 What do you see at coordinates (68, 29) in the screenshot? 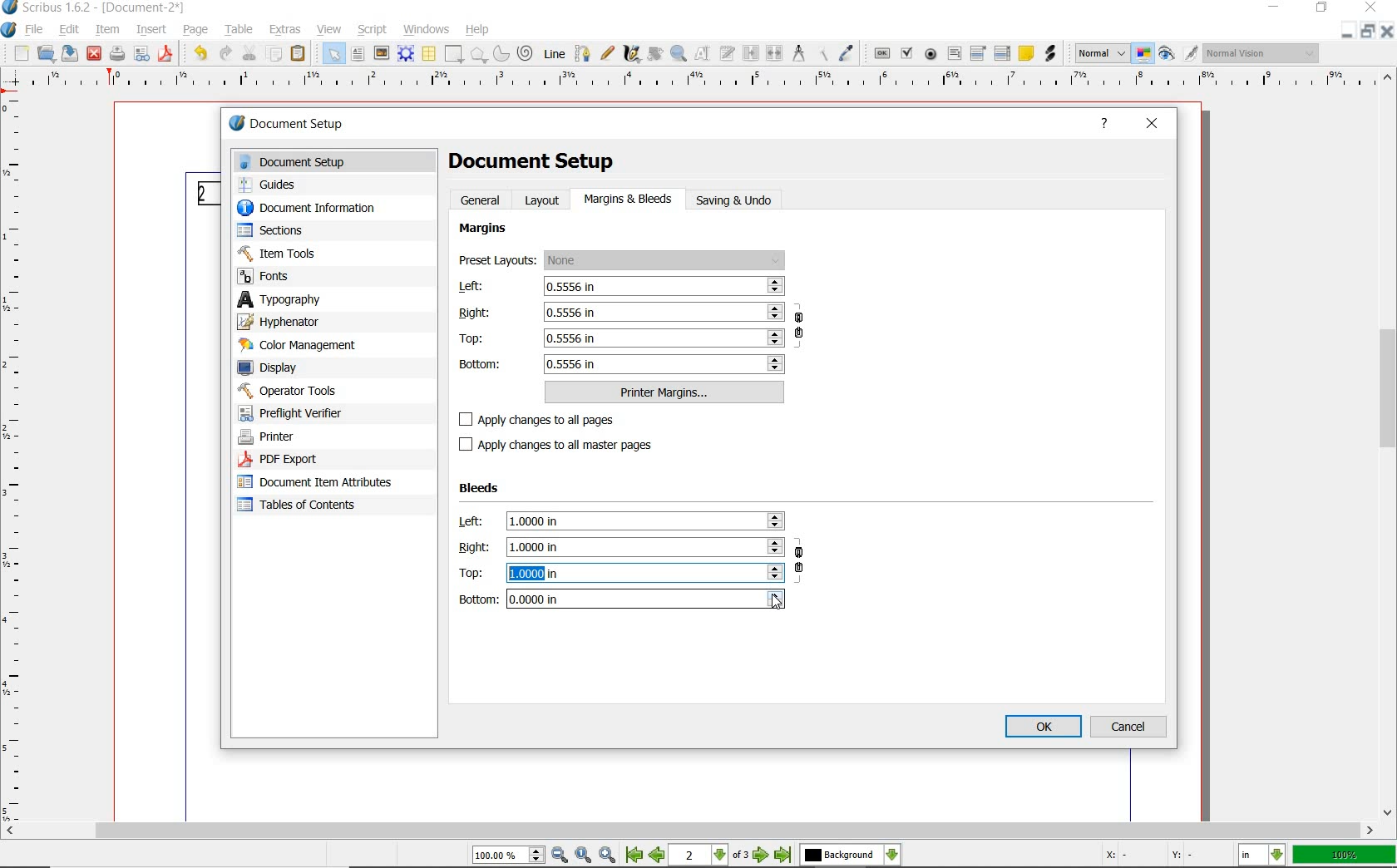
I see `edit` at bounding box center [68, 29].